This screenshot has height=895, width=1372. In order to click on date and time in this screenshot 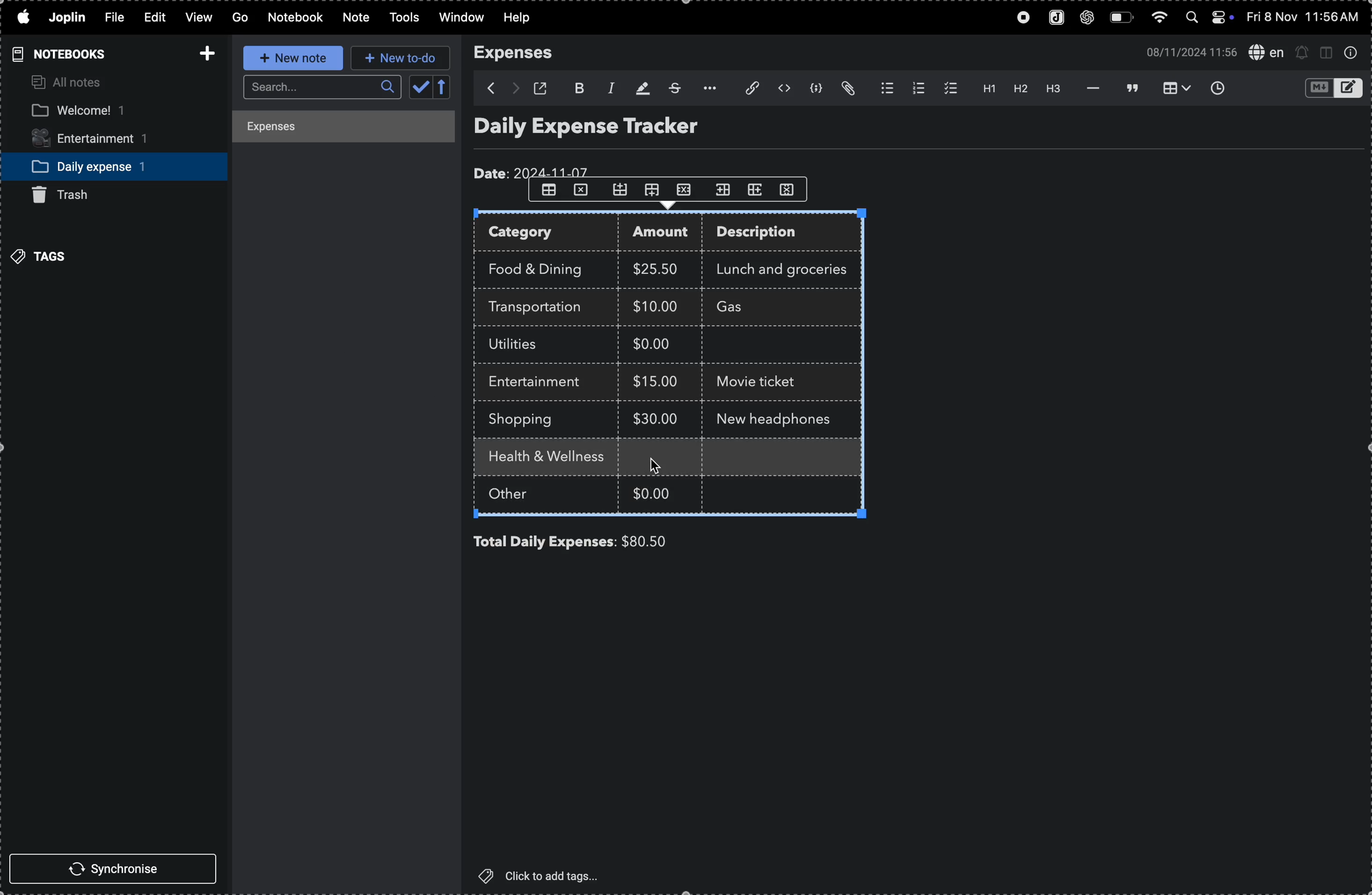, I will do `click(1187, 51)`.